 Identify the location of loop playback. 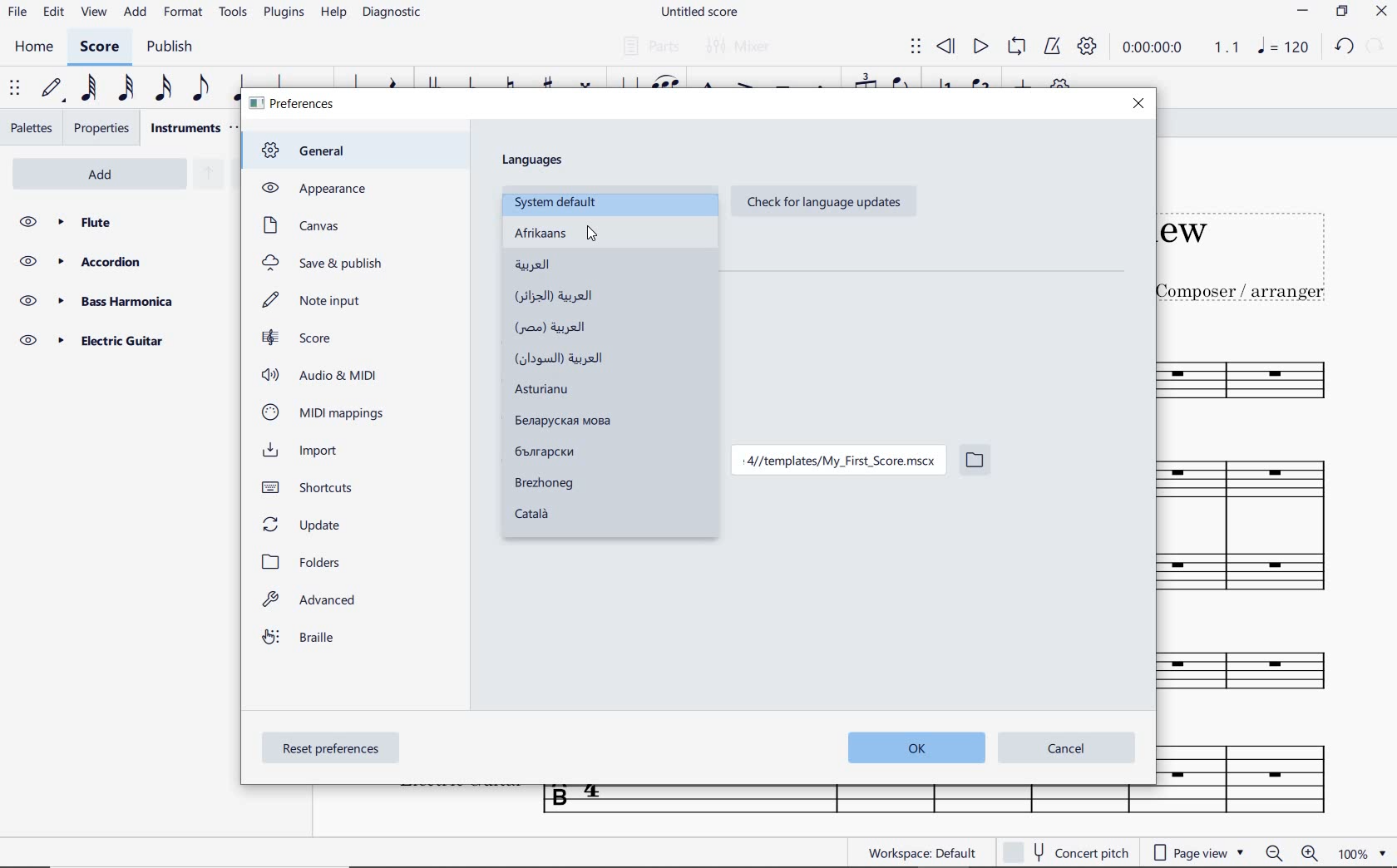
(1019, 47).